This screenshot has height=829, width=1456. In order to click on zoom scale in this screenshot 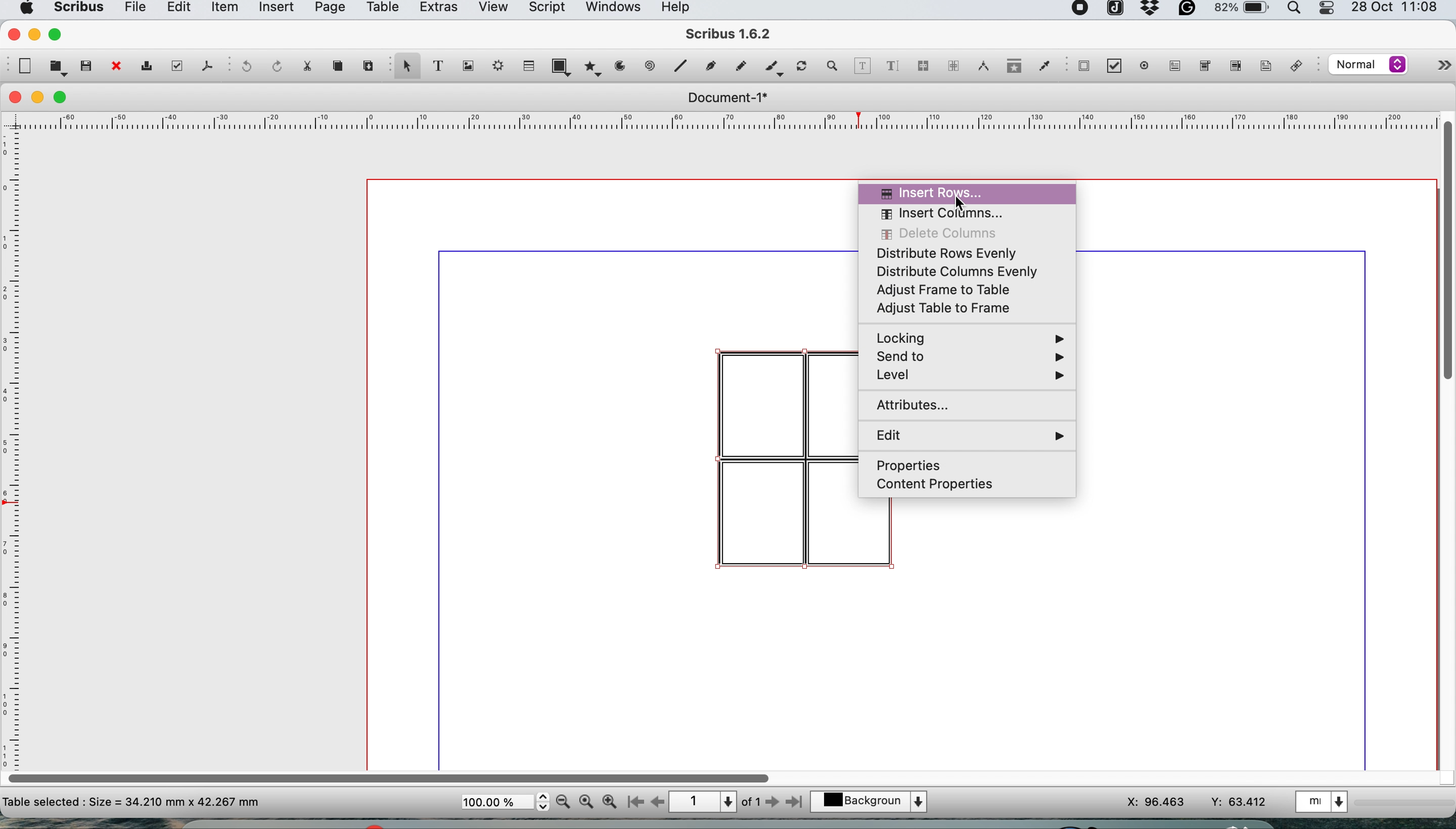, I will do `click(505, 802)`.